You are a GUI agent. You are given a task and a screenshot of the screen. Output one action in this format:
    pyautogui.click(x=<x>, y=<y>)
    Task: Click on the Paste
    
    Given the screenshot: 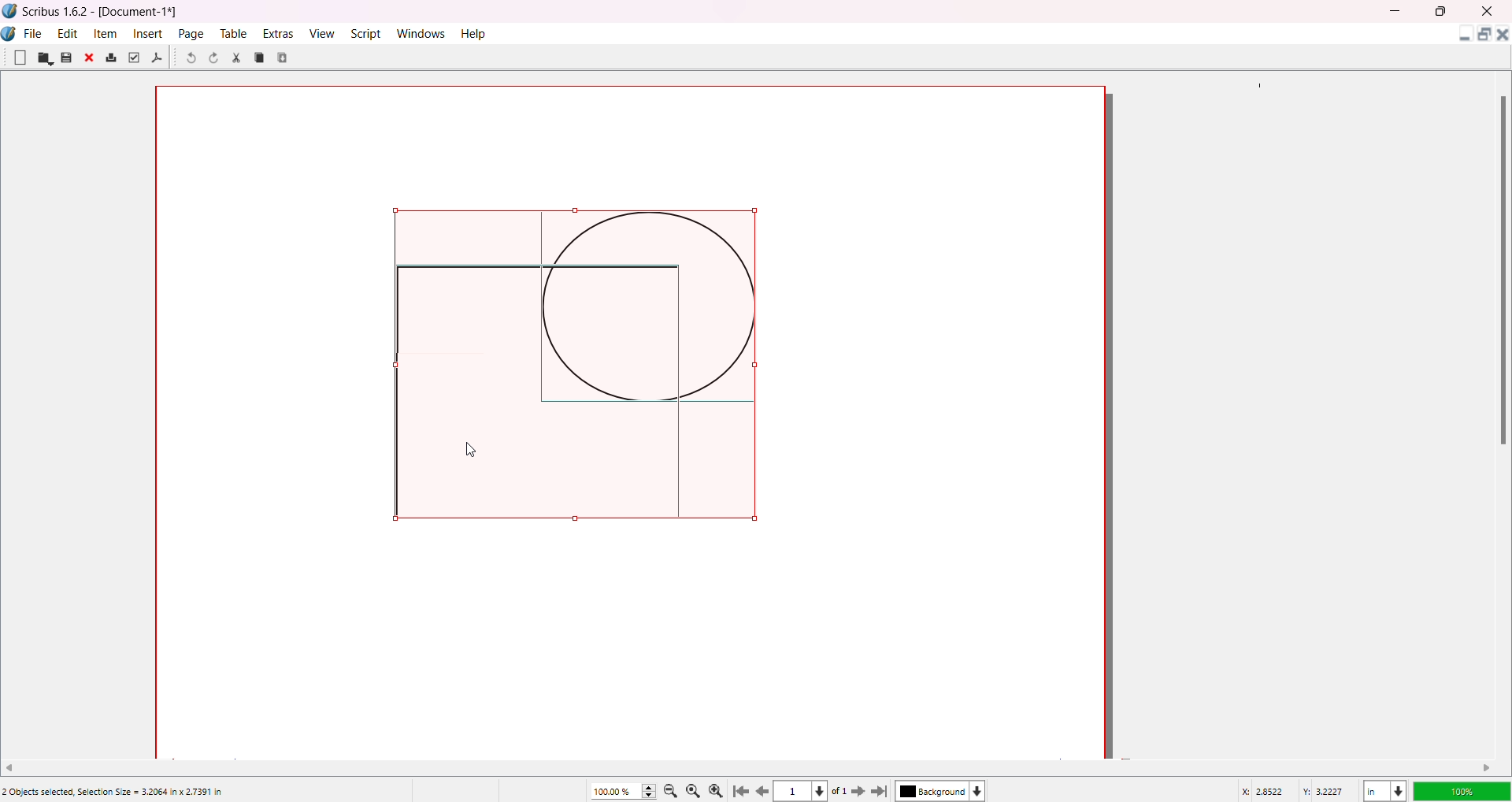 What is the action you would take?
    pyautogui.click(x=284, y=57)
    